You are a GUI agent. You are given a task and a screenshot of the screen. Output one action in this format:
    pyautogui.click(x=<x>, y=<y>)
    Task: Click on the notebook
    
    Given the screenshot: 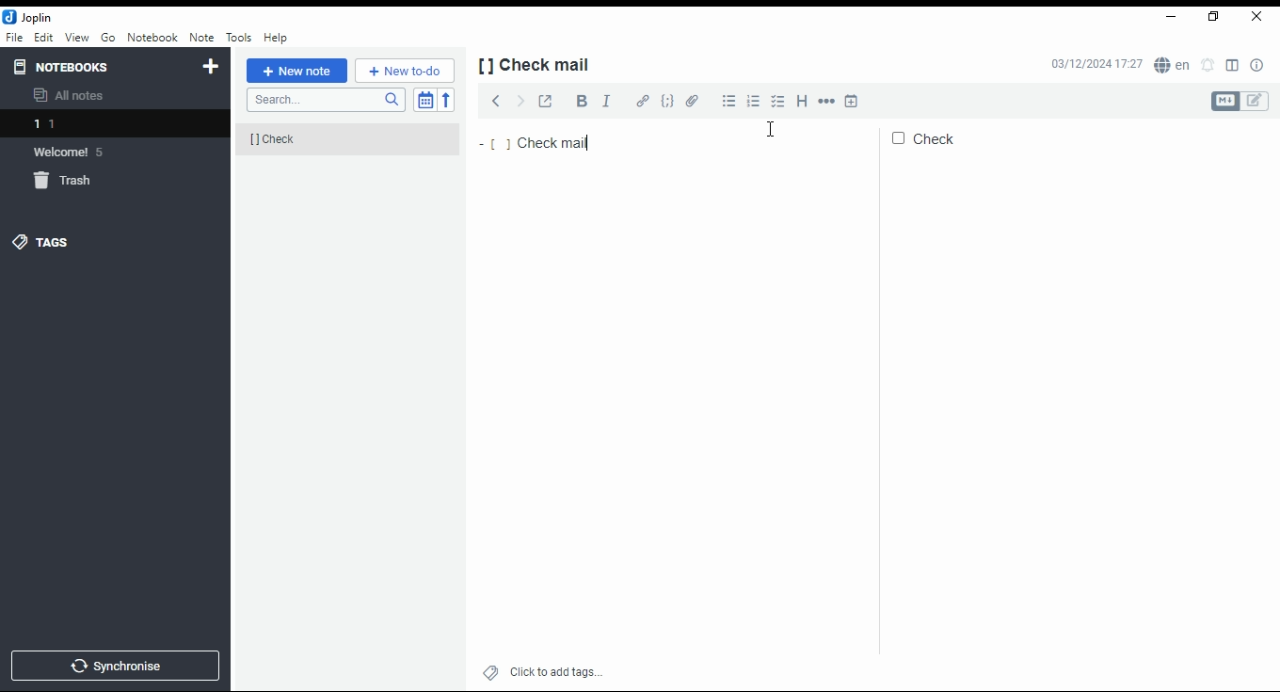 What is the action you would take?
    pyautogui.click(x=153, y=37)
    